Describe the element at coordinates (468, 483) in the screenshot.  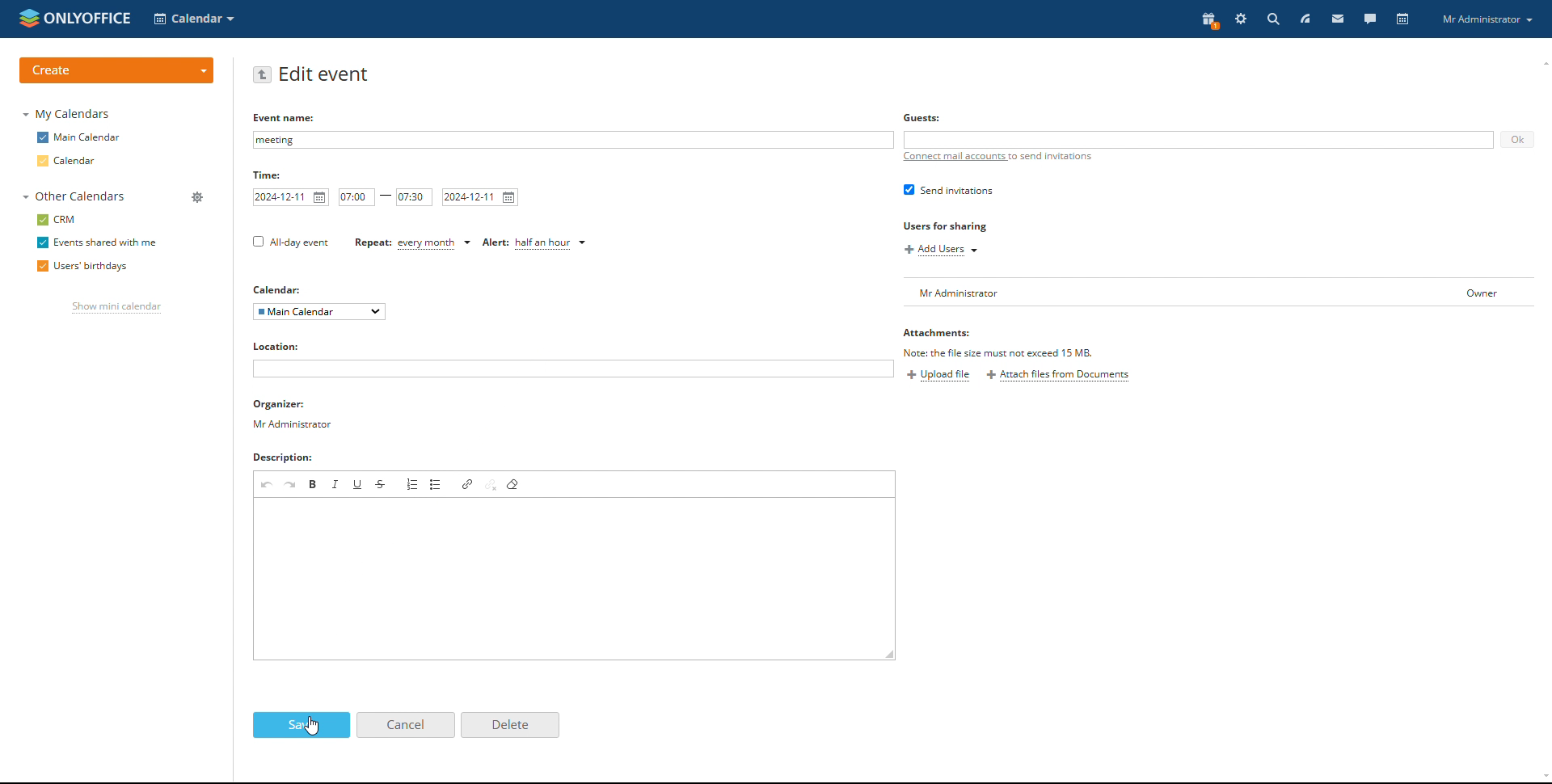
I see `link` at that location.